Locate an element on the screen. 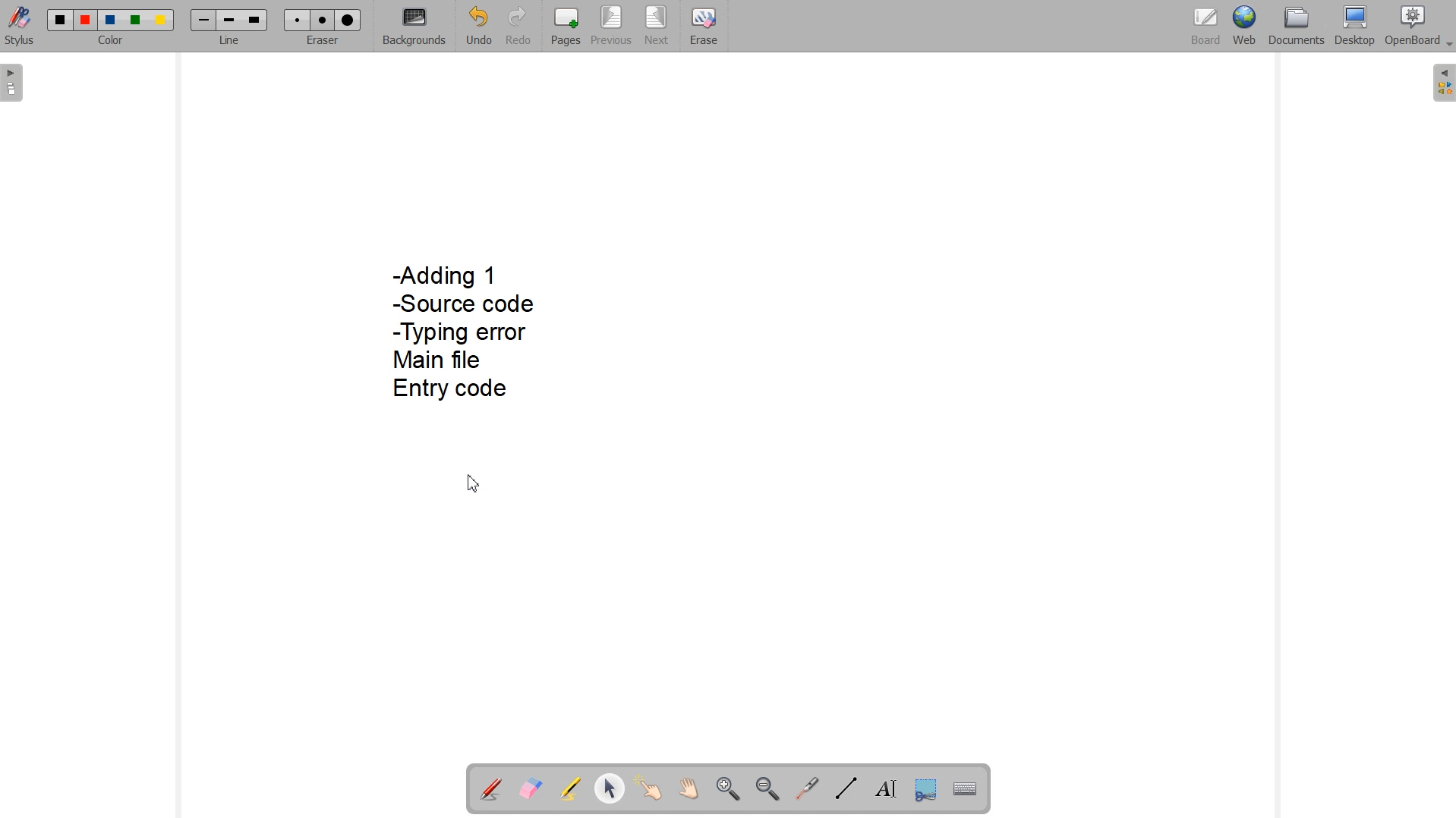 Image resolution: width=1456 pixels, height=818 pixels. -Adding 1
-Source code
-Typing error
Main file
Entry code is located at coordinates (462, 337).